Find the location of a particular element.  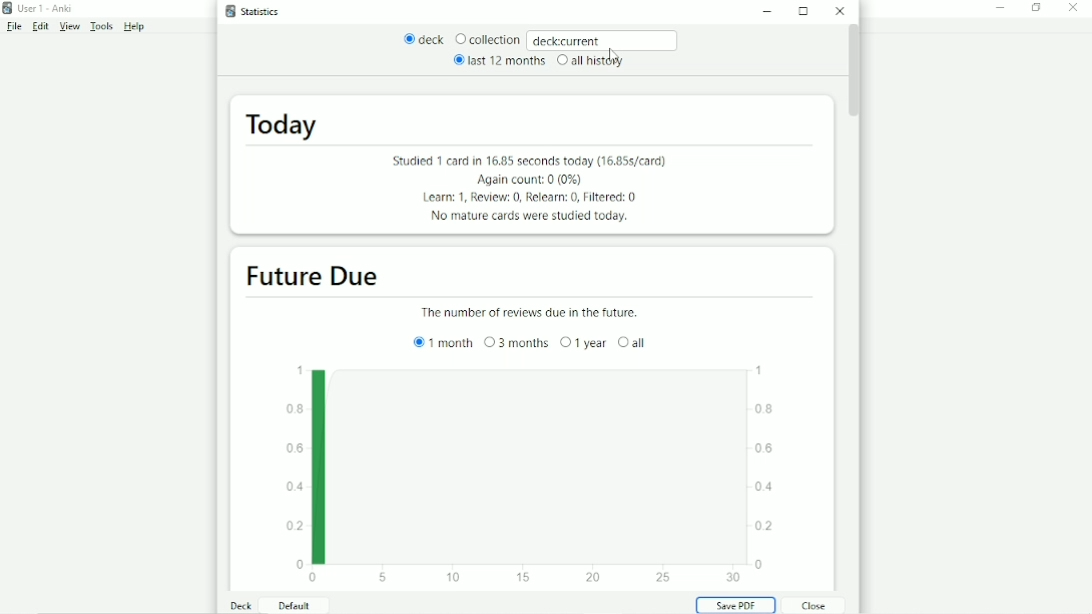

Close is located at coordinates (1073, 8).